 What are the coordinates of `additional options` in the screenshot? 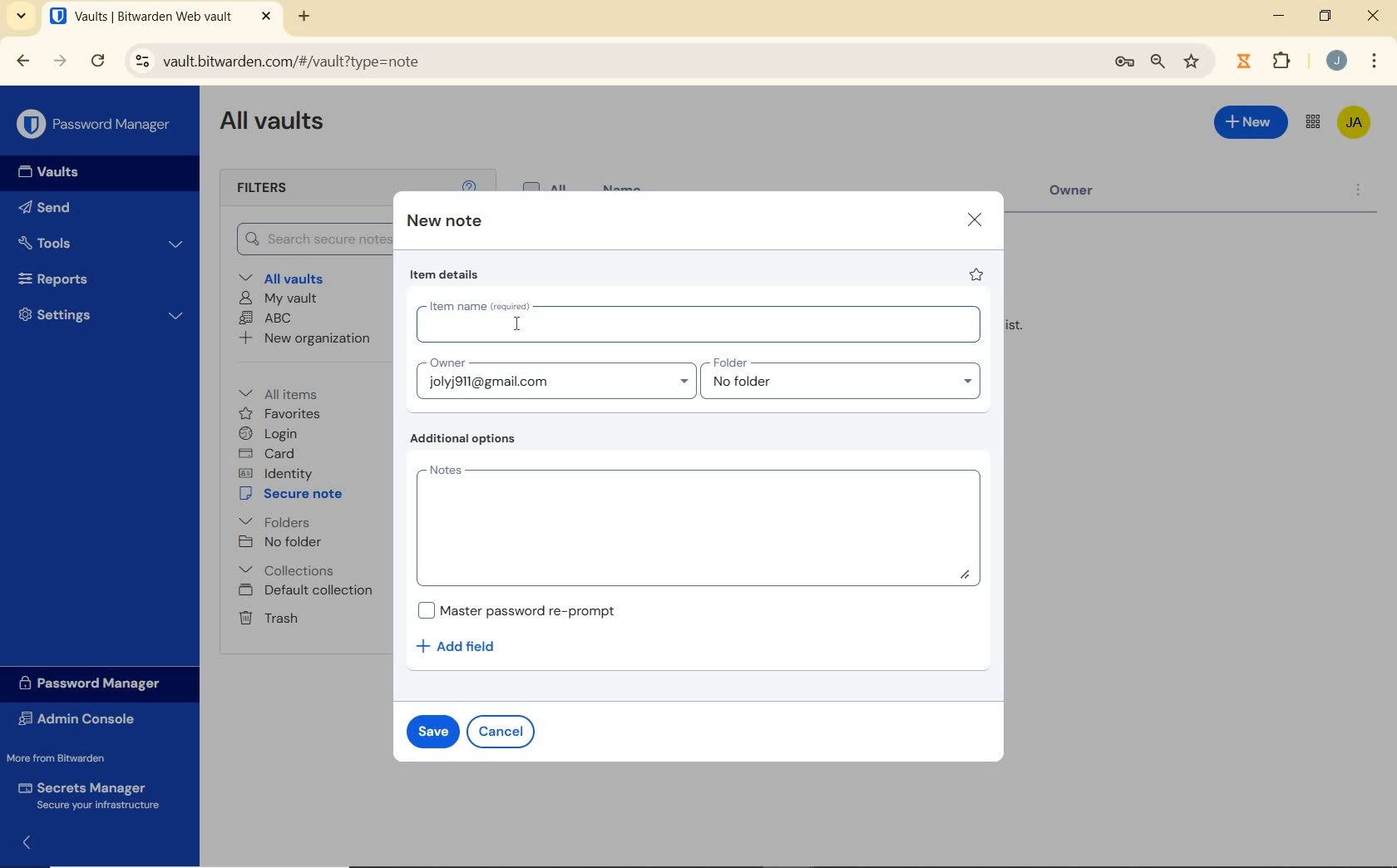 It's located at (468, 439).